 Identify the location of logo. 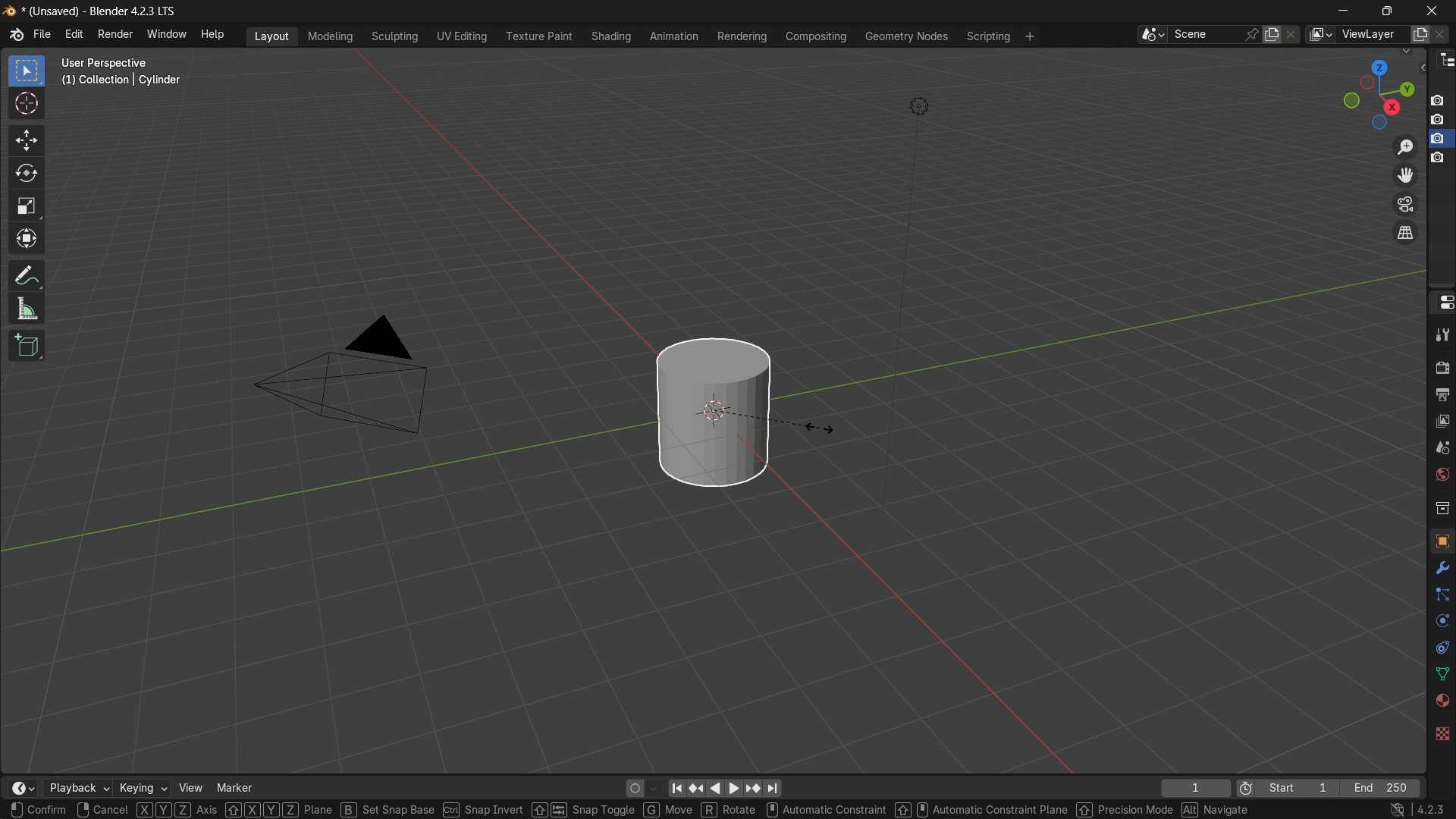
(11, 11).